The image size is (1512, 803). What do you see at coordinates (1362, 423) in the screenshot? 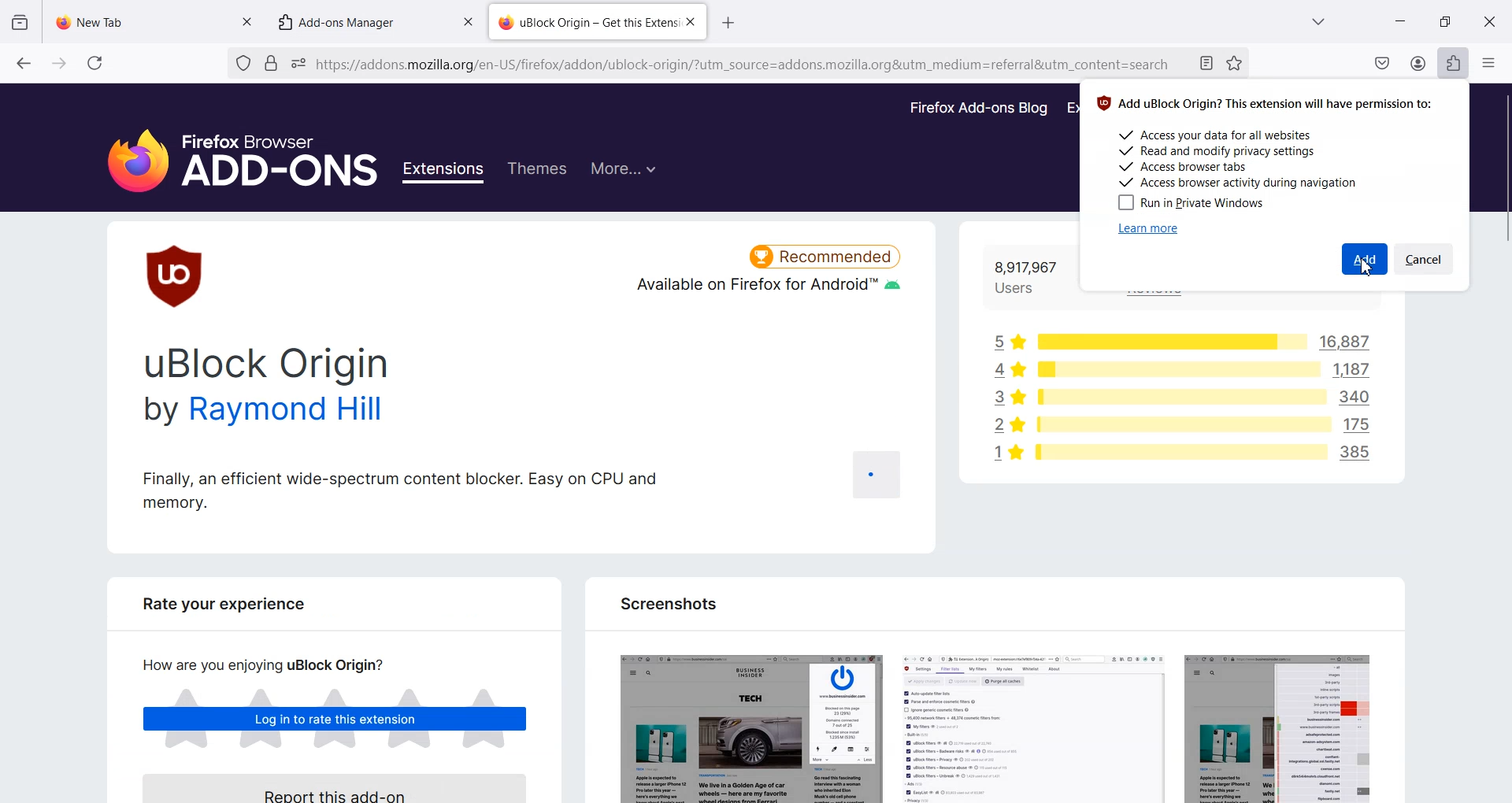
I see `175 users` at bounding box center [1362, 423].